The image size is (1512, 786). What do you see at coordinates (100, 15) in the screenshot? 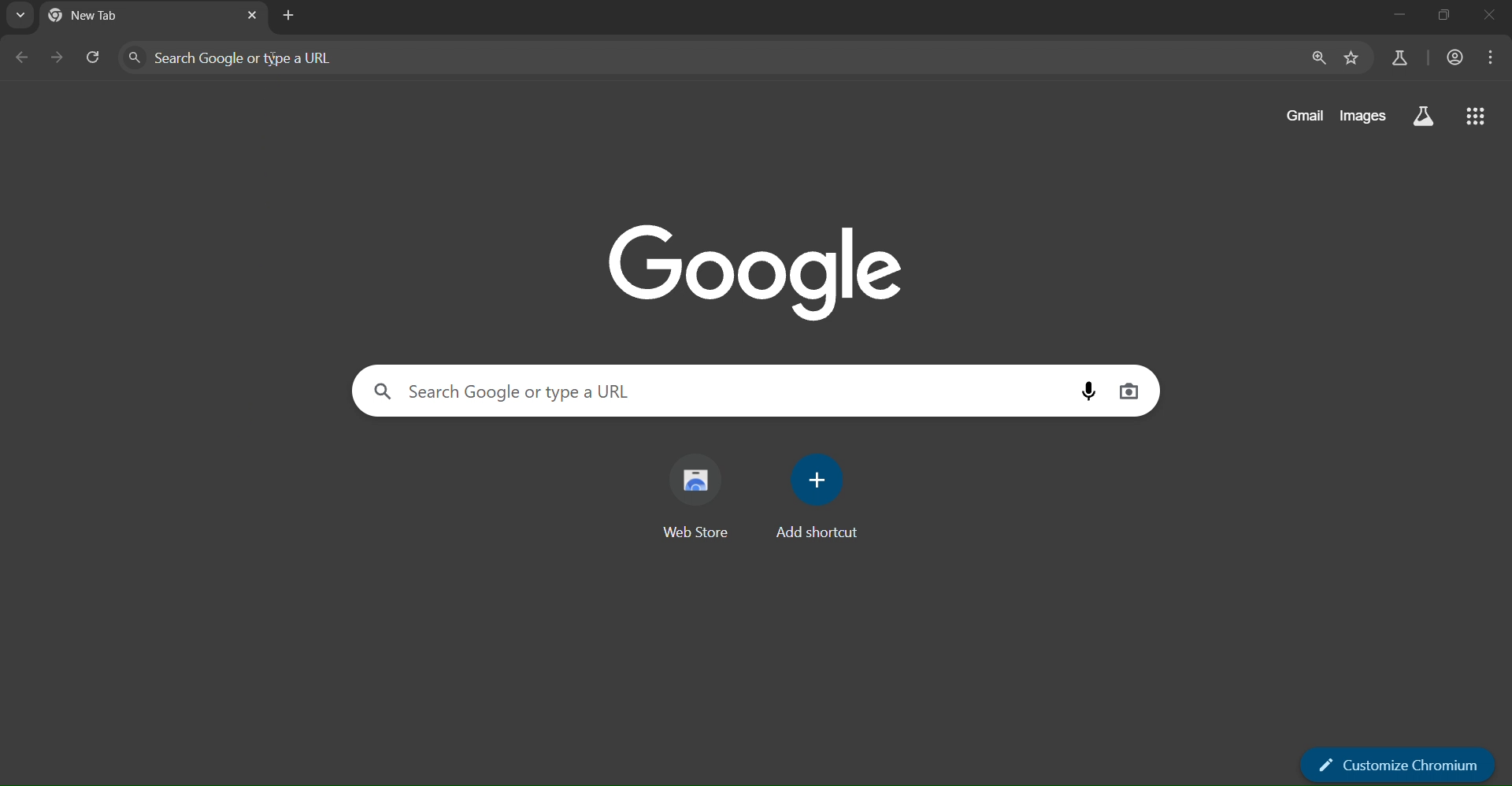
I see `currenttab` at bounding box center [100, 15].